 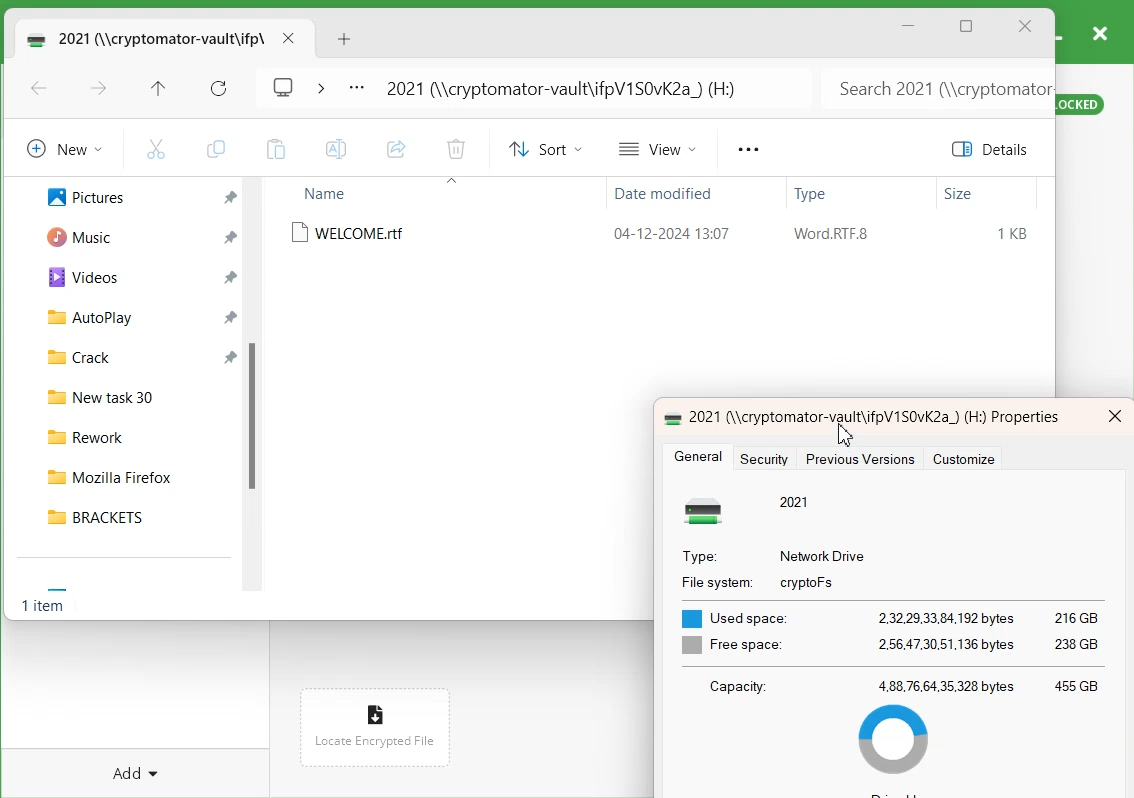 I want to click on Share, so click(x=396, y=150).